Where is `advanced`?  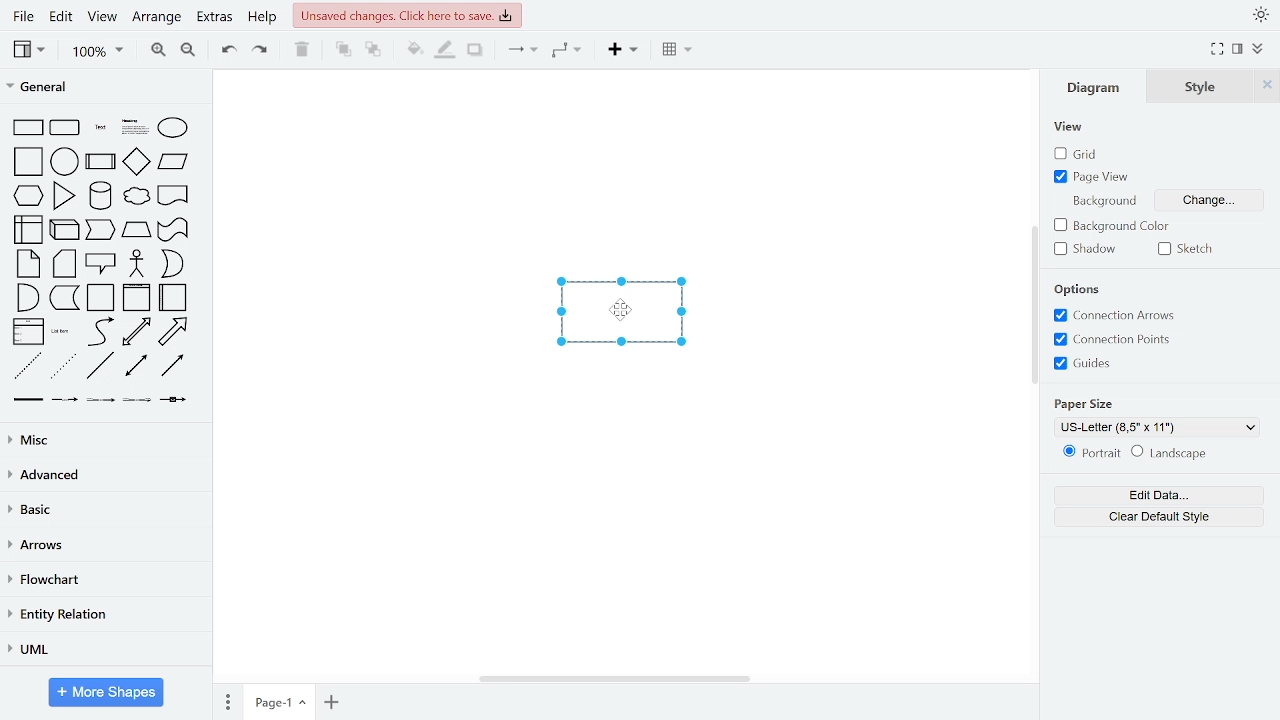
advanced is located at coordinates (102, 475).